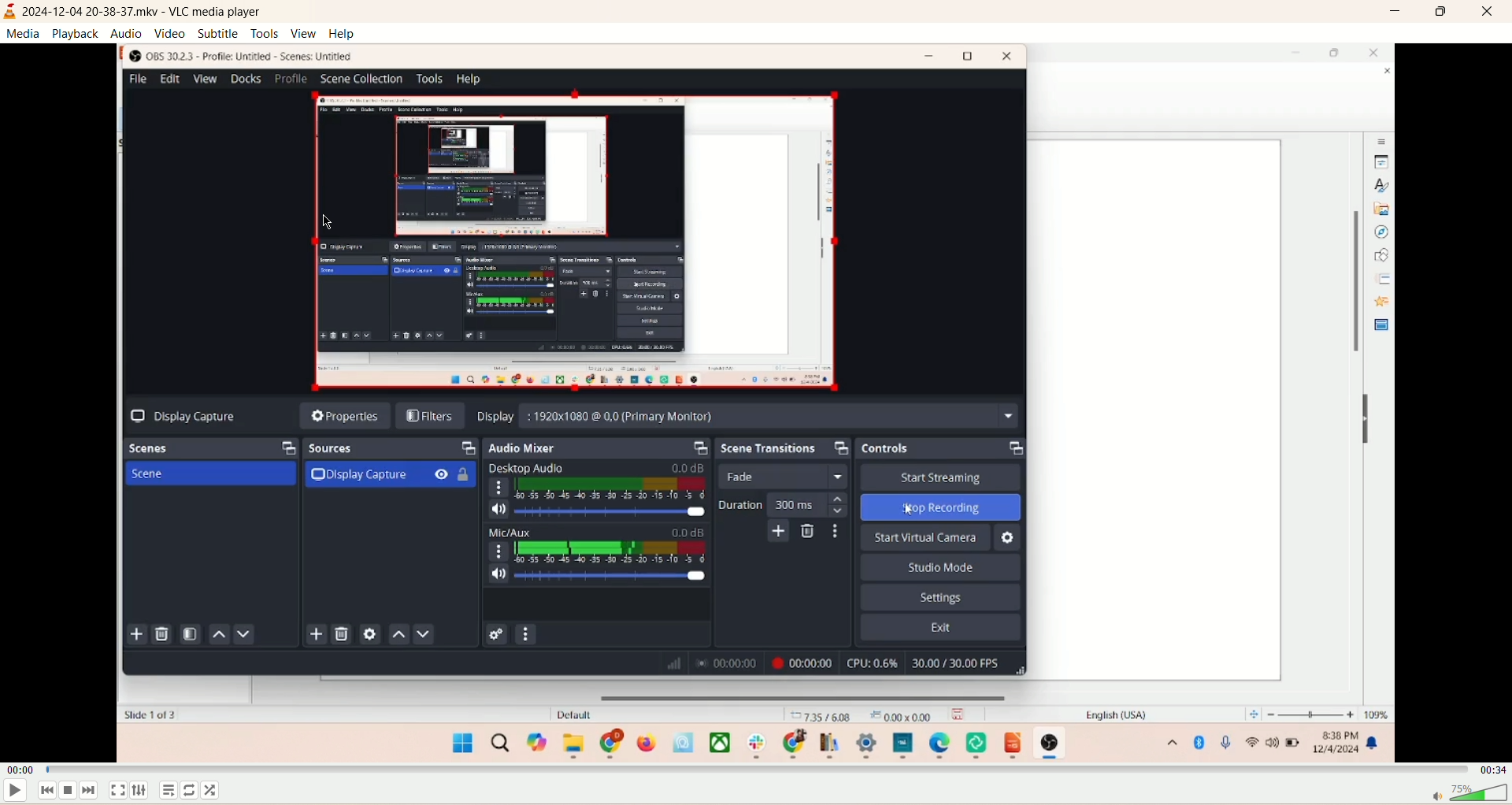  Describe the element at coordinates (1395, 12) in the screenshot. I see `minimize` at that location.